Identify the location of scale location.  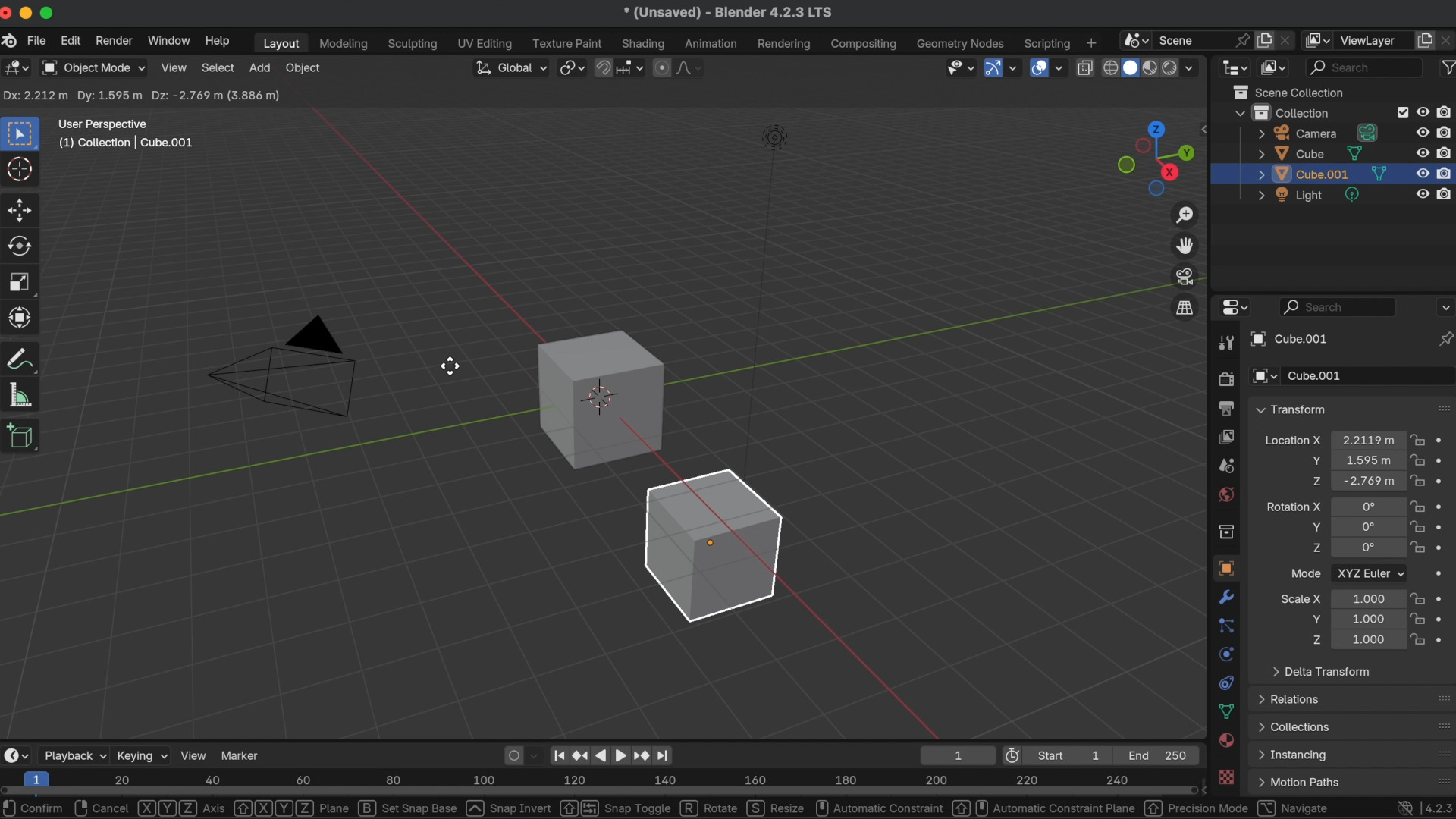
(1365, 618).